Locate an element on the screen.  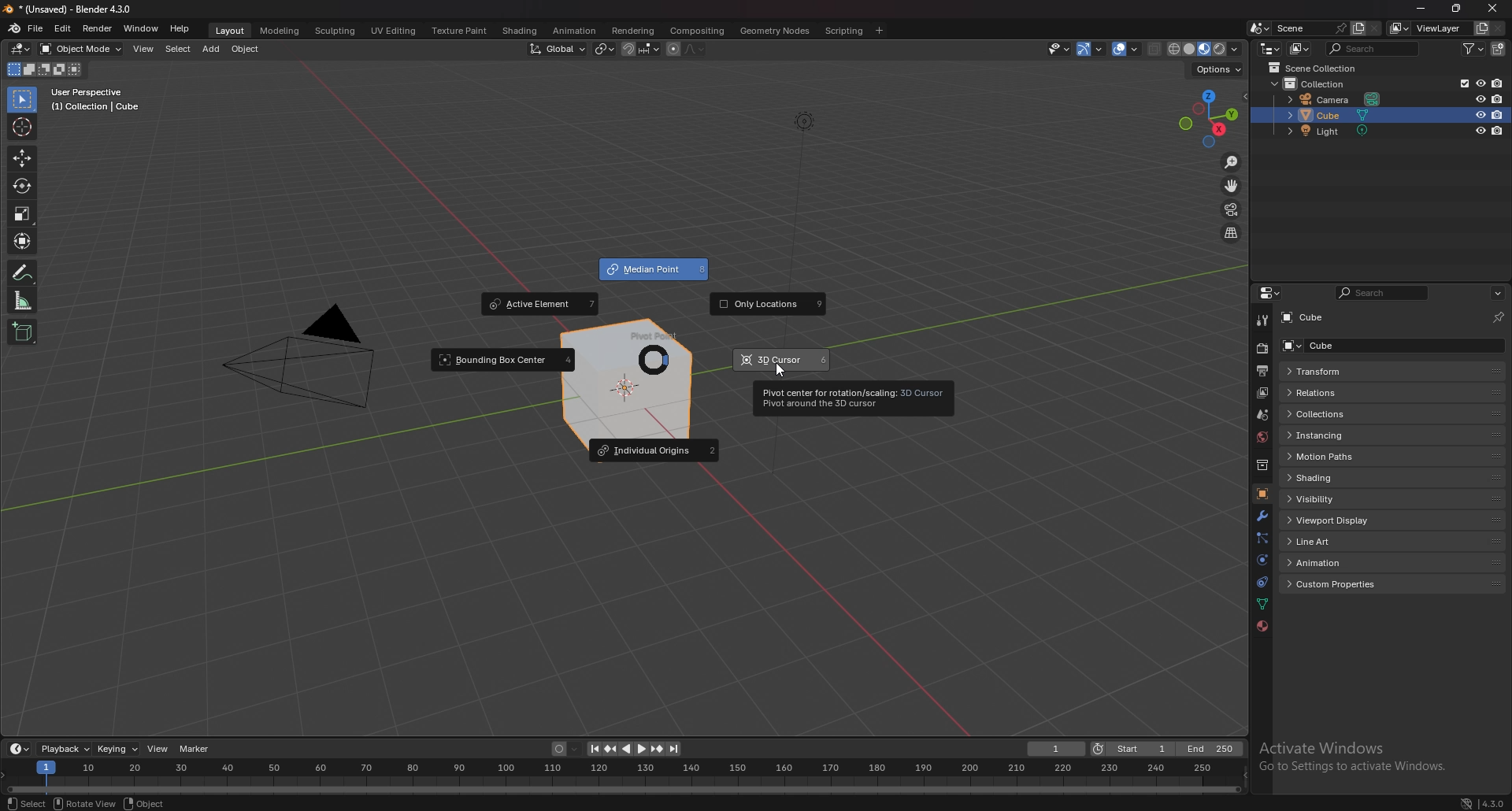
constraints is located at coordinates (1260, 582).